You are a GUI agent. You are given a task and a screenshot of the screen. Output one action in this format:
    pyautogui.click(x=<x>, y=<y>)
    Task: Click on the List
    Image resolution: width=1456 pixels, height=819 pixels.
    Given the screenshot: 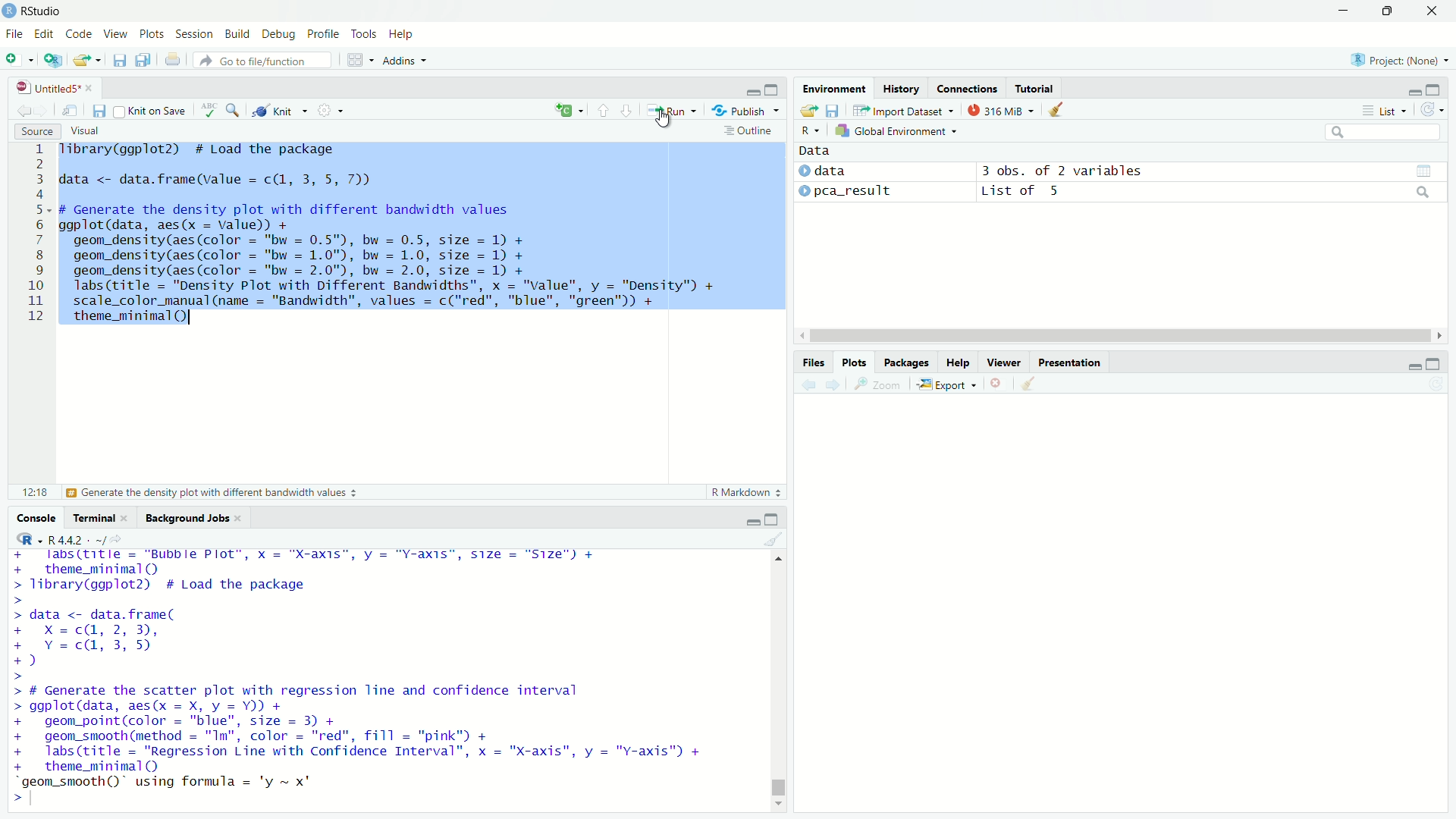 What is the action you would take?
    pyautogui.click(x=1385, y=110)
    